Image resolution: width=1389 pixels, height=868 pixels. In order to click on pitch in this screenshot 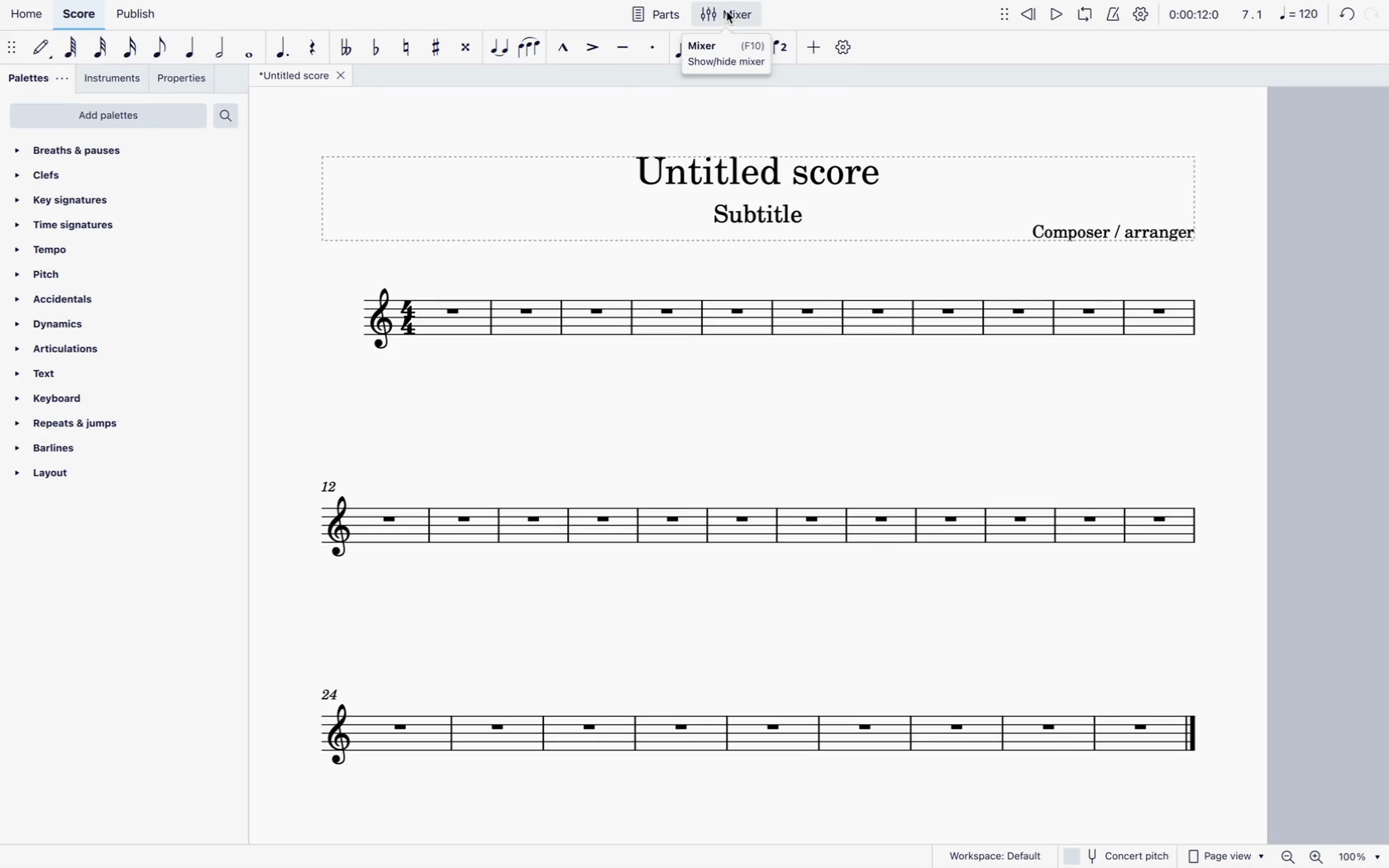, I will do `click(97, 274)`.